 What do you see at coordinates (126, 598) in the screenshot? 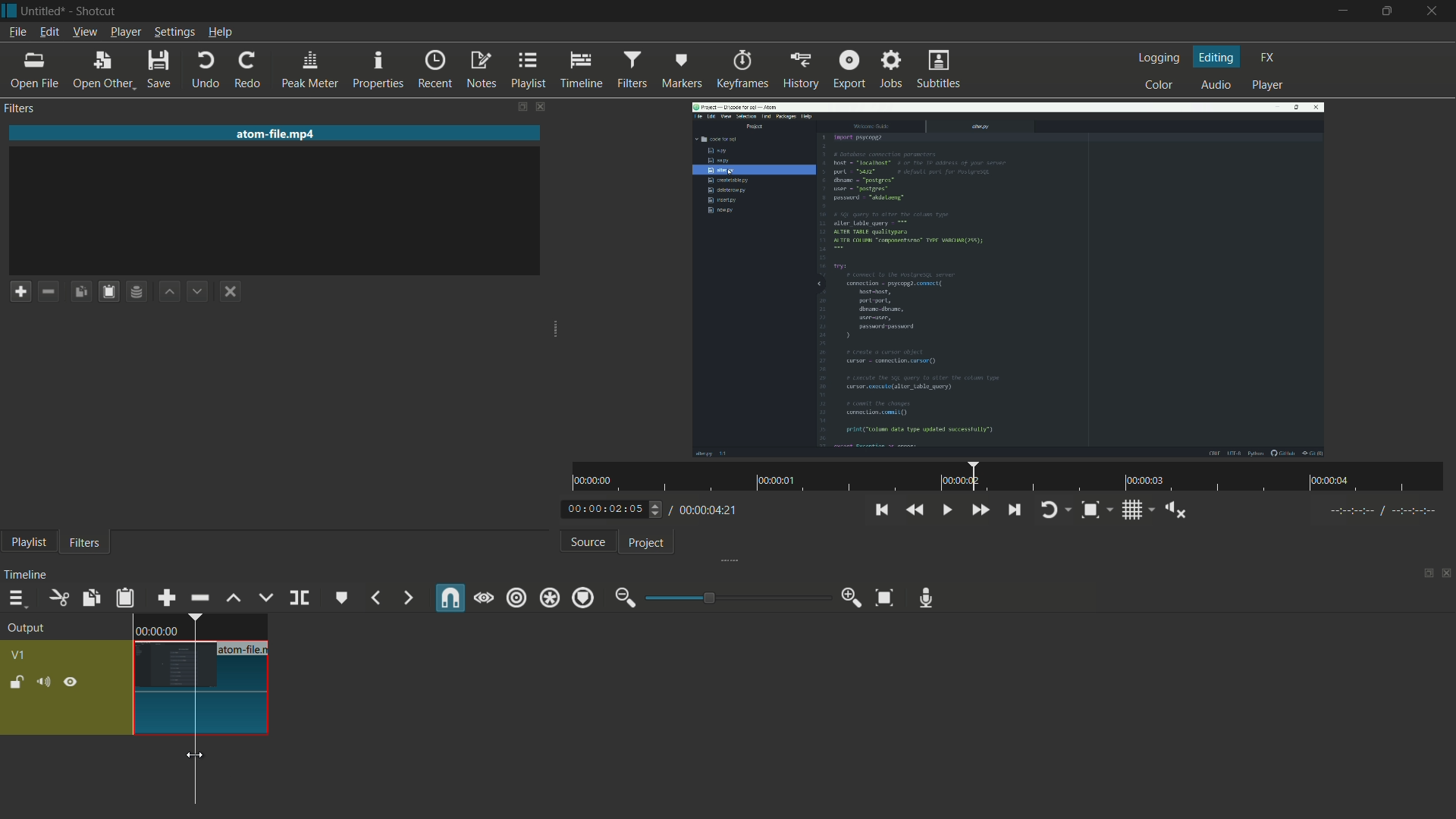
I see `paste` at bounding box center [126, 598].